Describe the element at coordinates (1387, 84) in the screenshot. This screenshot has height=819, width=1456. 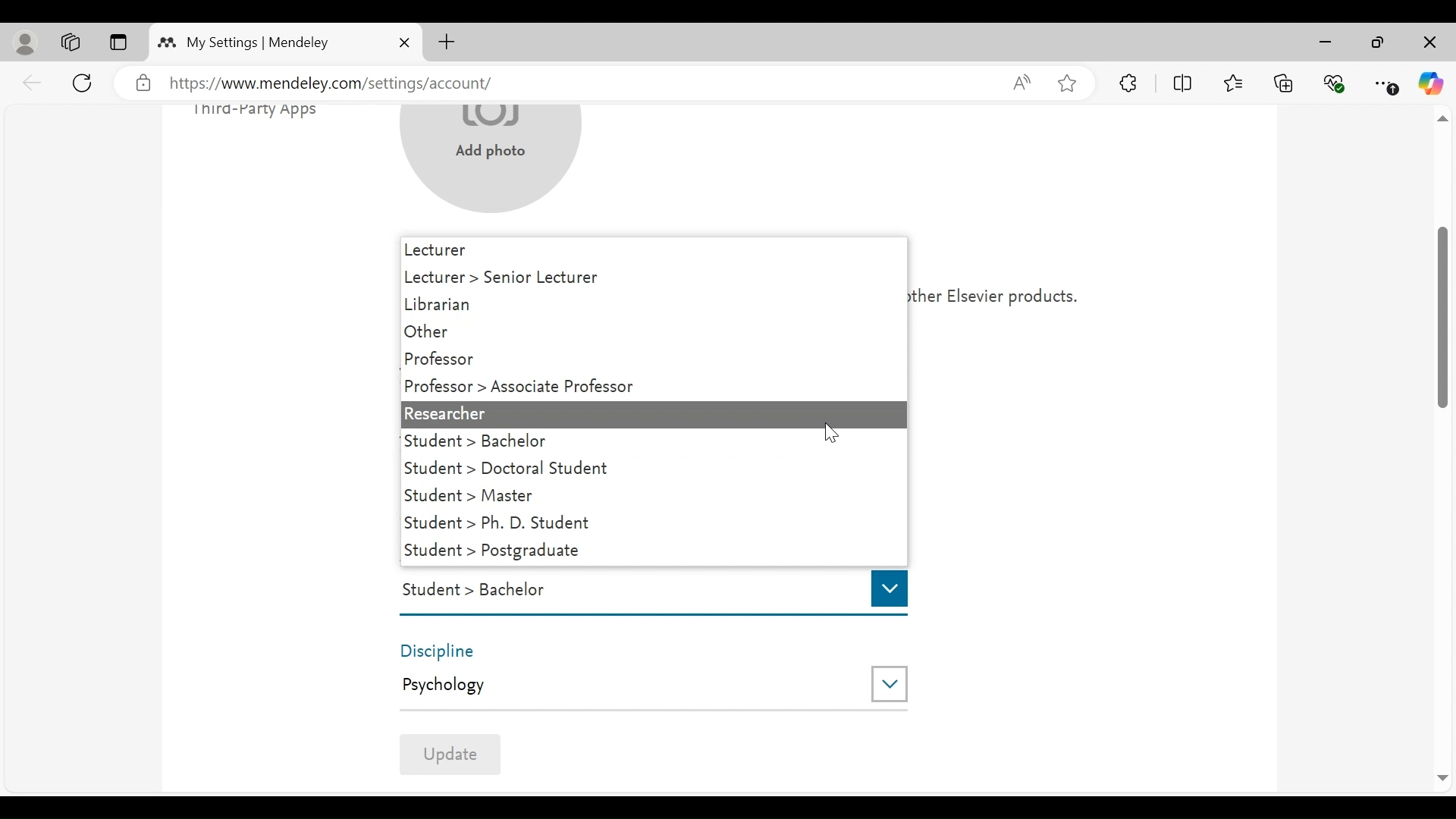
I see `Settings and More` at that location.